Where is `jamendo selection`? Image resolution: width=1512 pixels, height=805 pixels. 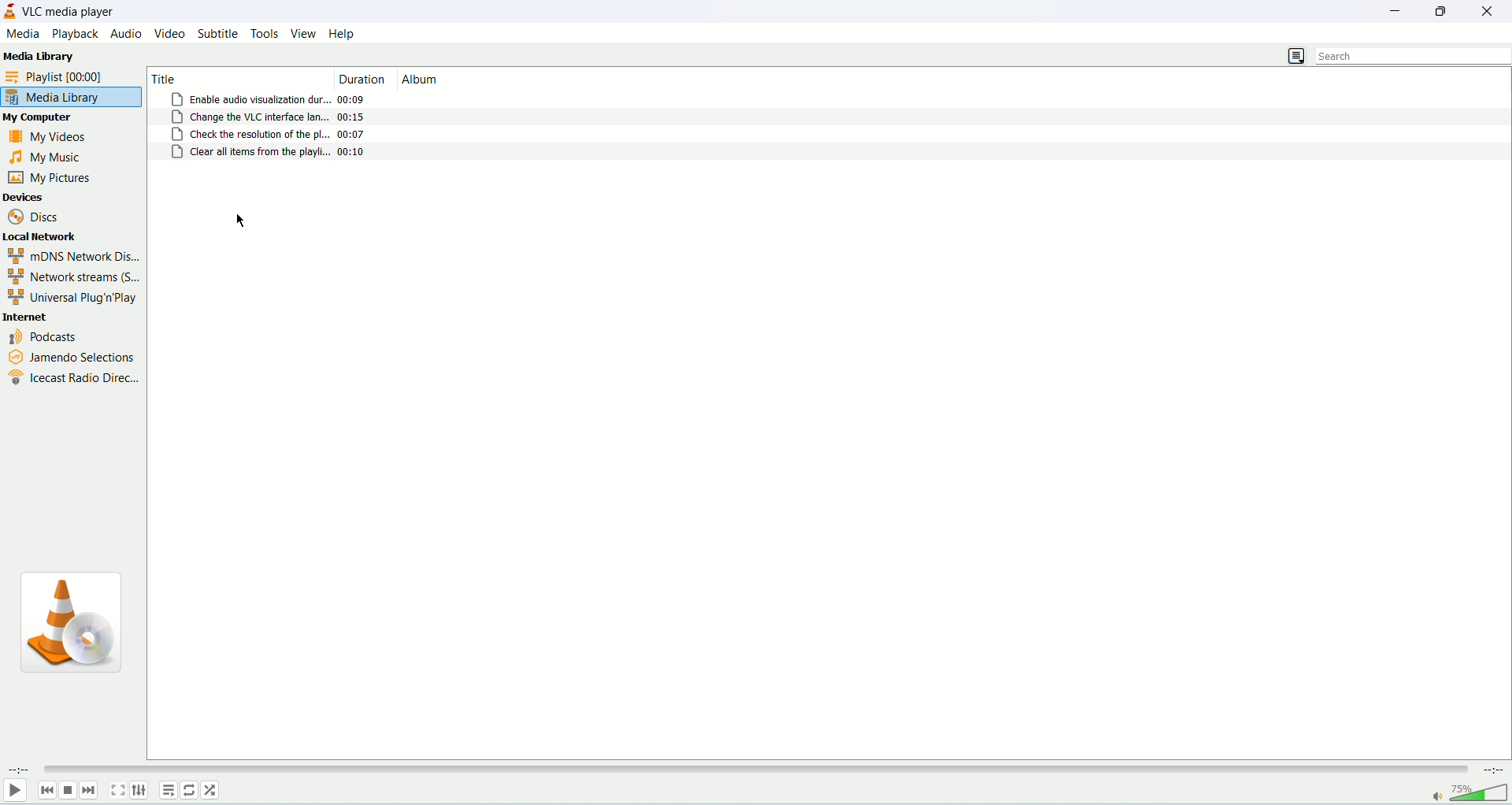 jamendo selection is located at coordinates (72, 358).